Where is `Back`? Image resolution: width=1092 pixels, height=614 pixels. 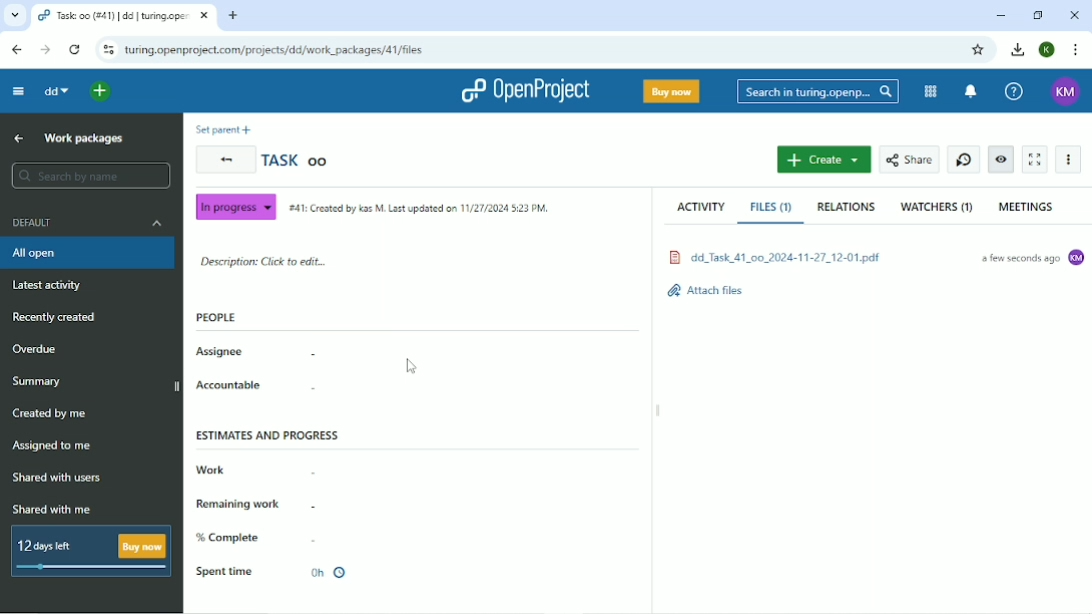
Back is located at coordinates (226, 159).